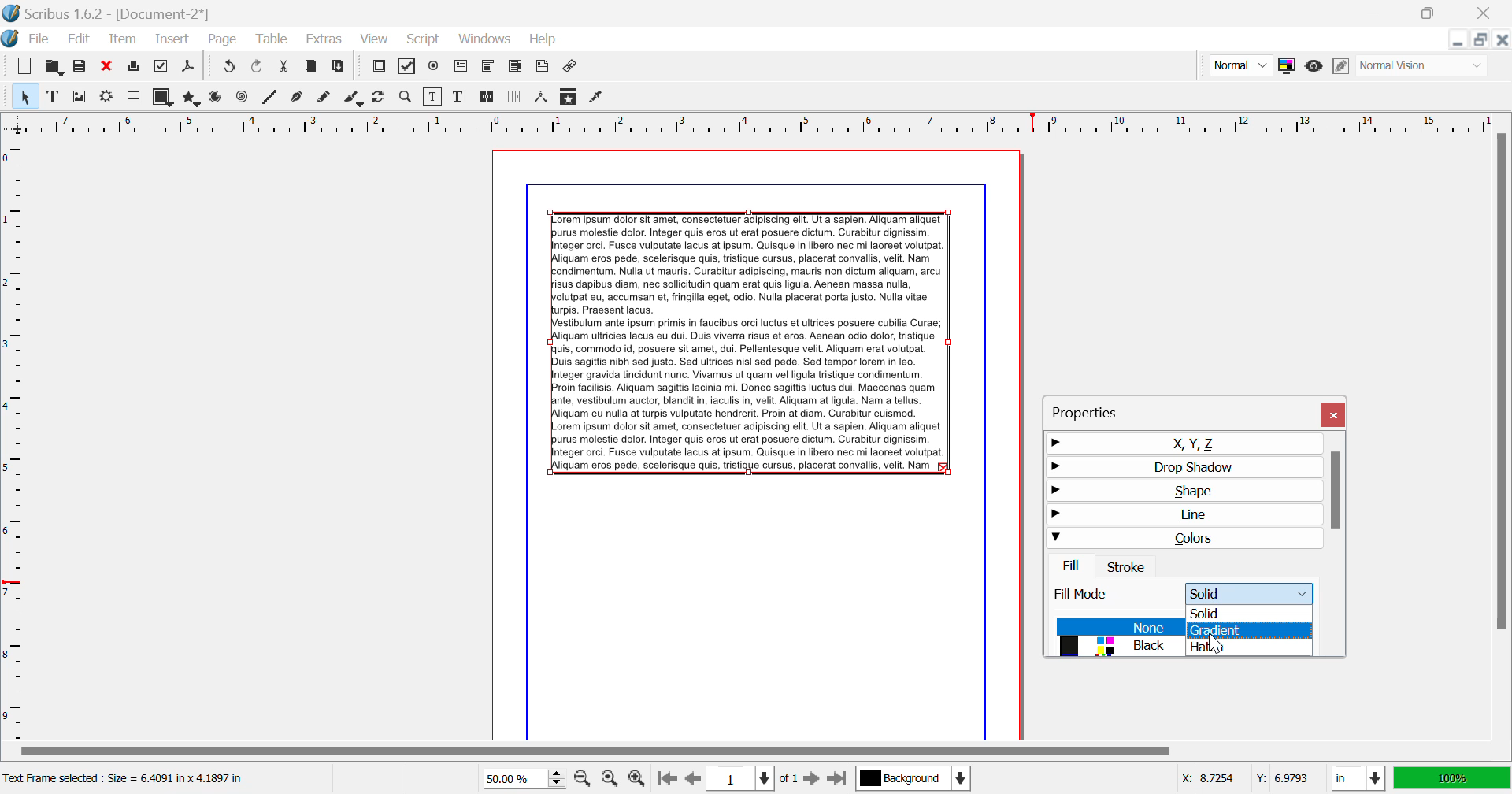 The width and height of the screenshot is (1512, 794). I want to click on Zoom, so click(406, 97).